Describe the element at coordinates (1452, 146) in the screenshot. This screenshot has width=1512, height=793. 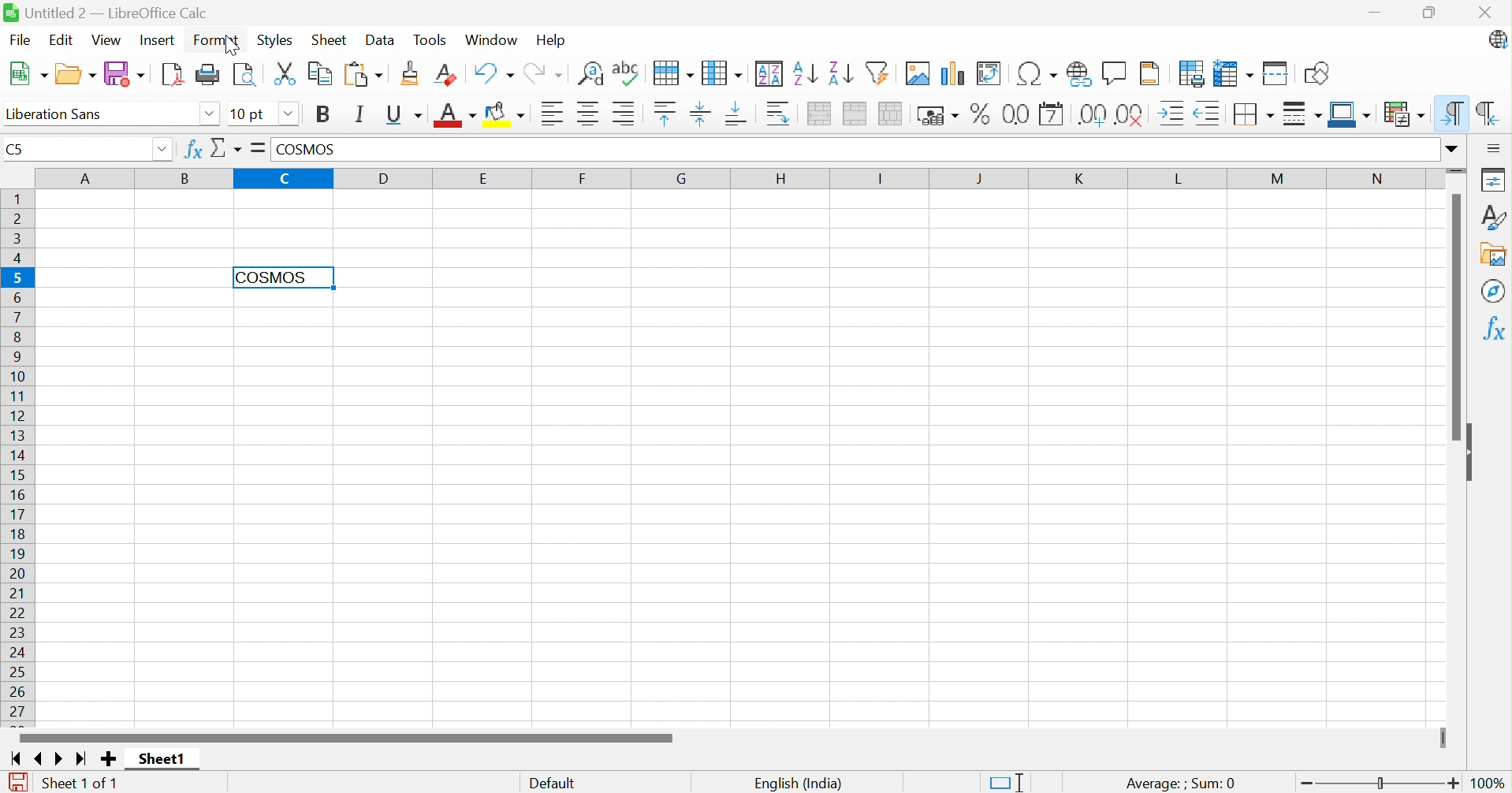
I see `Drop Down` at that location.